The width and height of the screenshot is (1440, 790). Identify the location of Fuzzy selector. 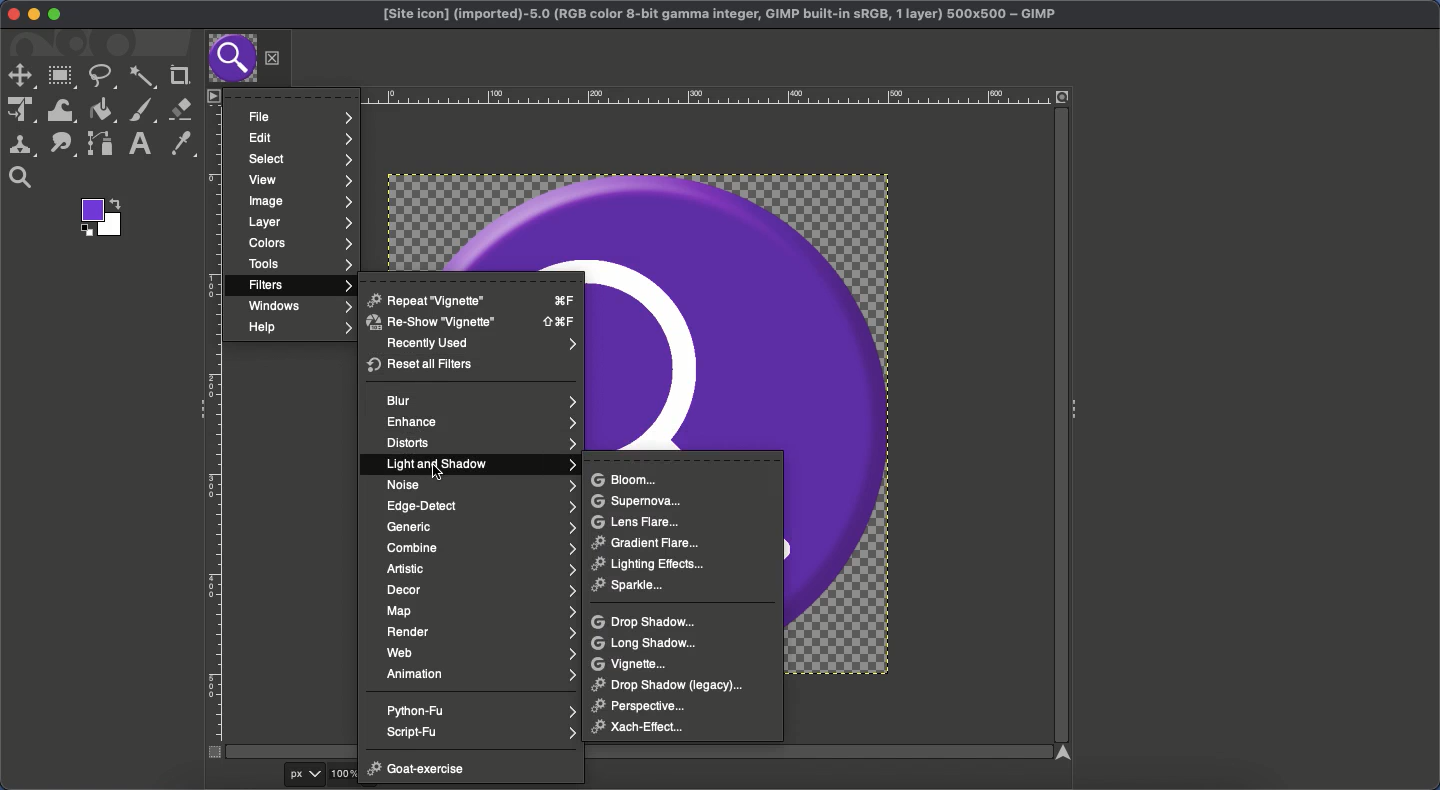
(142, 79).